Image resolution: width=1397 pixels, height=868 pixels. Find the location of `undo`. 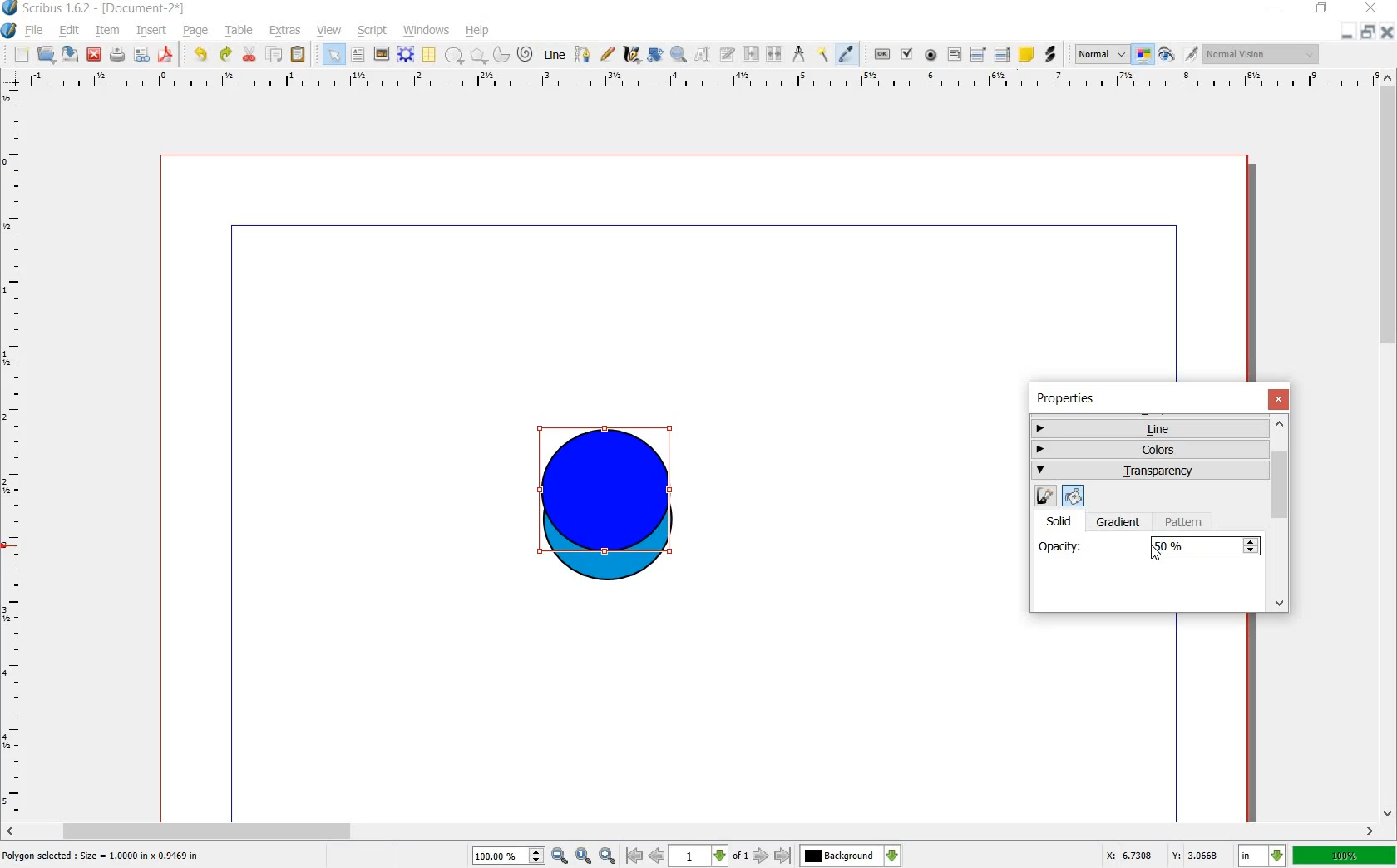

undo is located at coordinates (202, 55).